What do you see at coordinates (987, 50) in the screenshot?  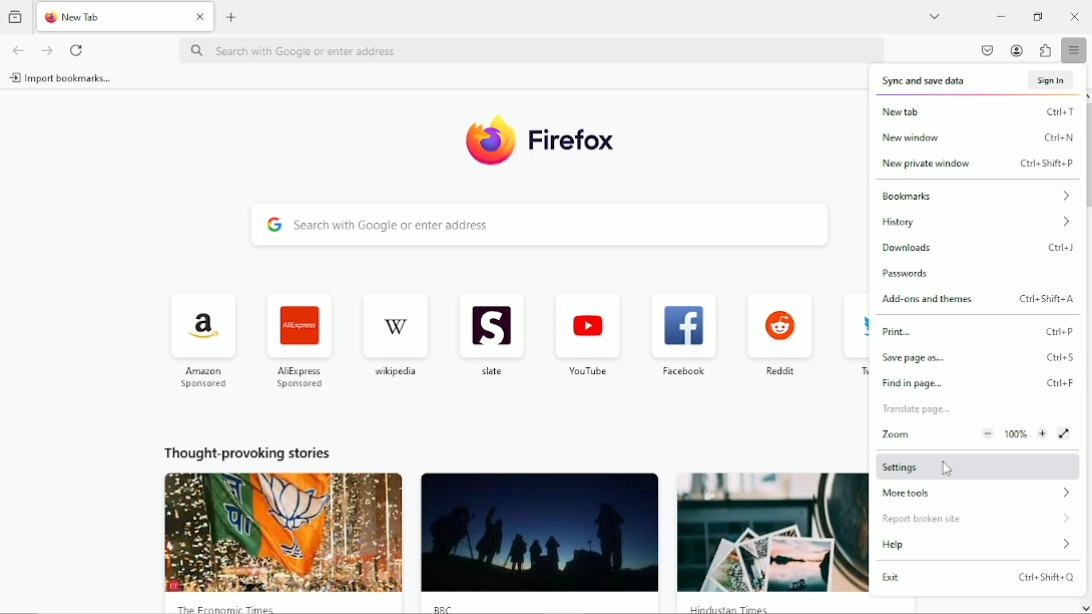 I see `save to pocket` at bounding box center [987, 50].